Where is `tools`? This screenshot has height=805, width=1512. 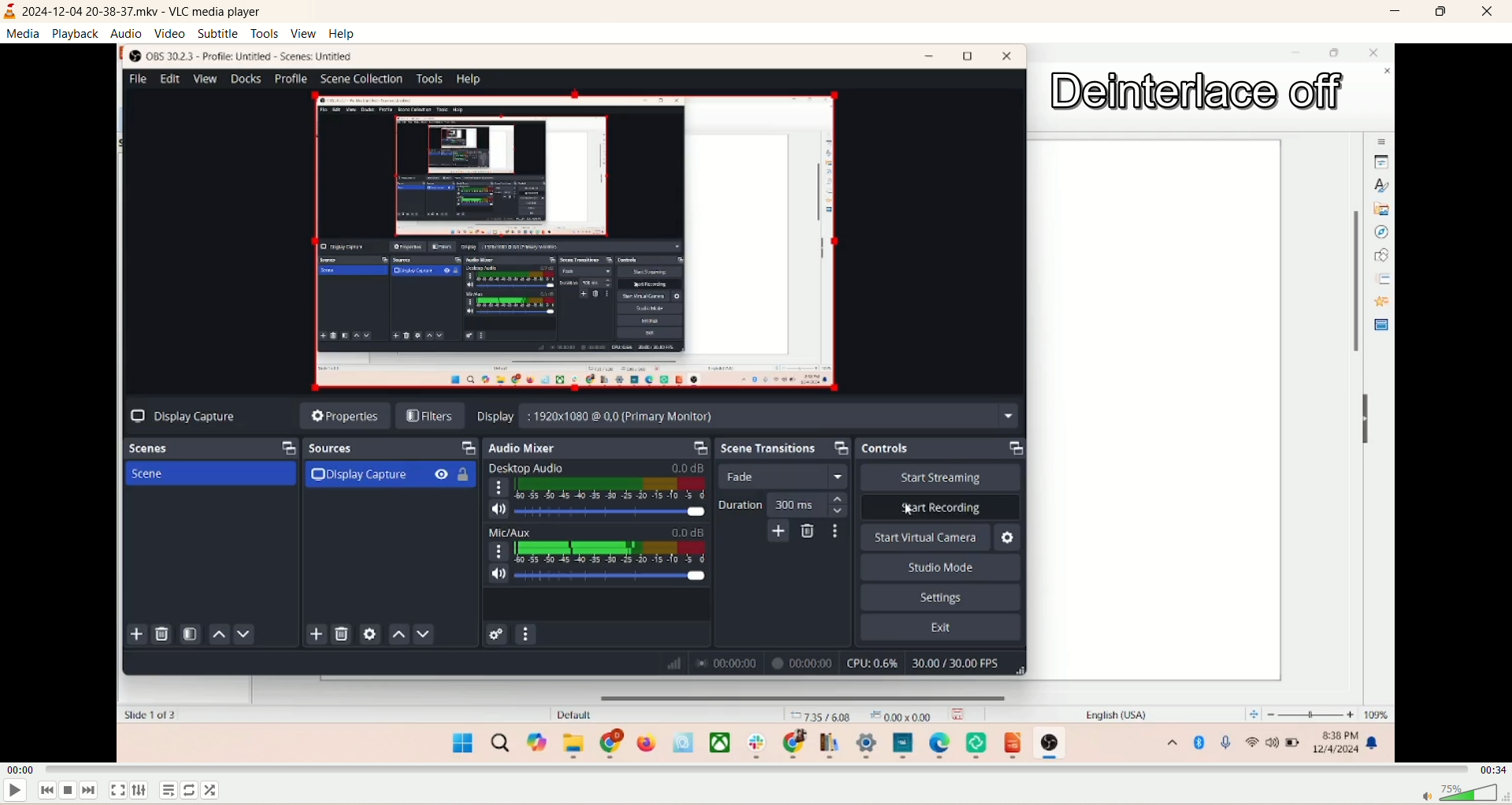 tools is located at coordinates (265, 33).